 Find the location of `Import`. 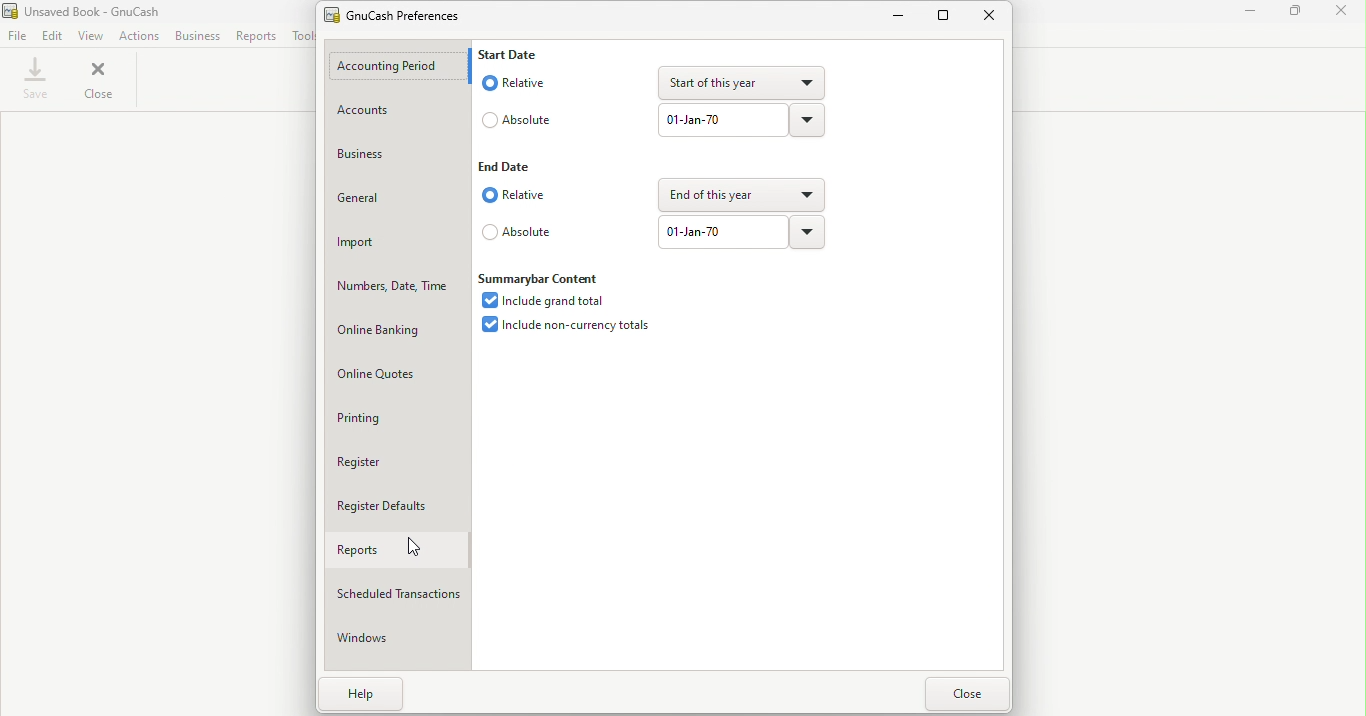

Import is located at coordinates (396, 241).